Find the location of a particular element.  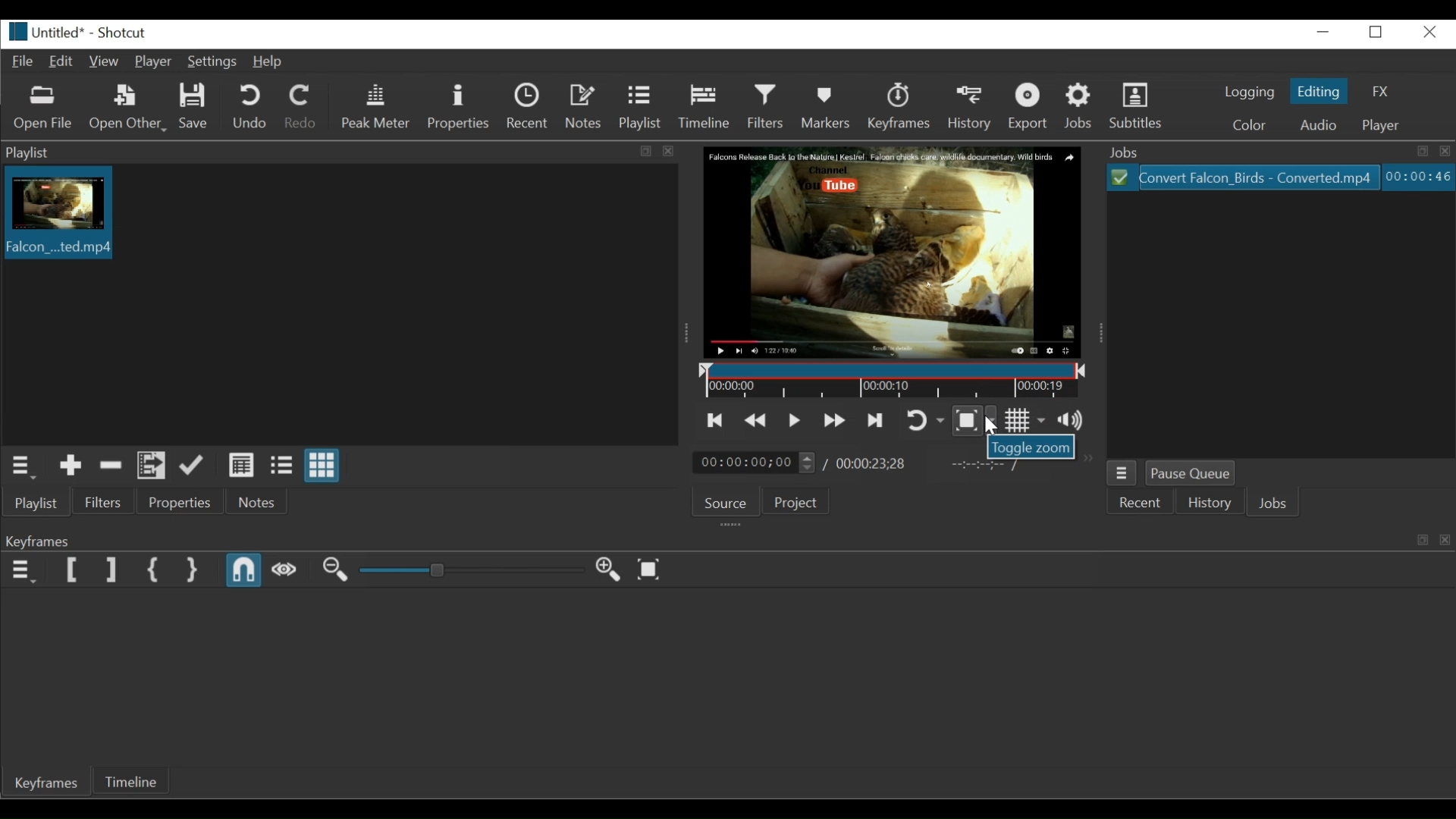

Toggle Zoom is located at coordinates (976, 421).